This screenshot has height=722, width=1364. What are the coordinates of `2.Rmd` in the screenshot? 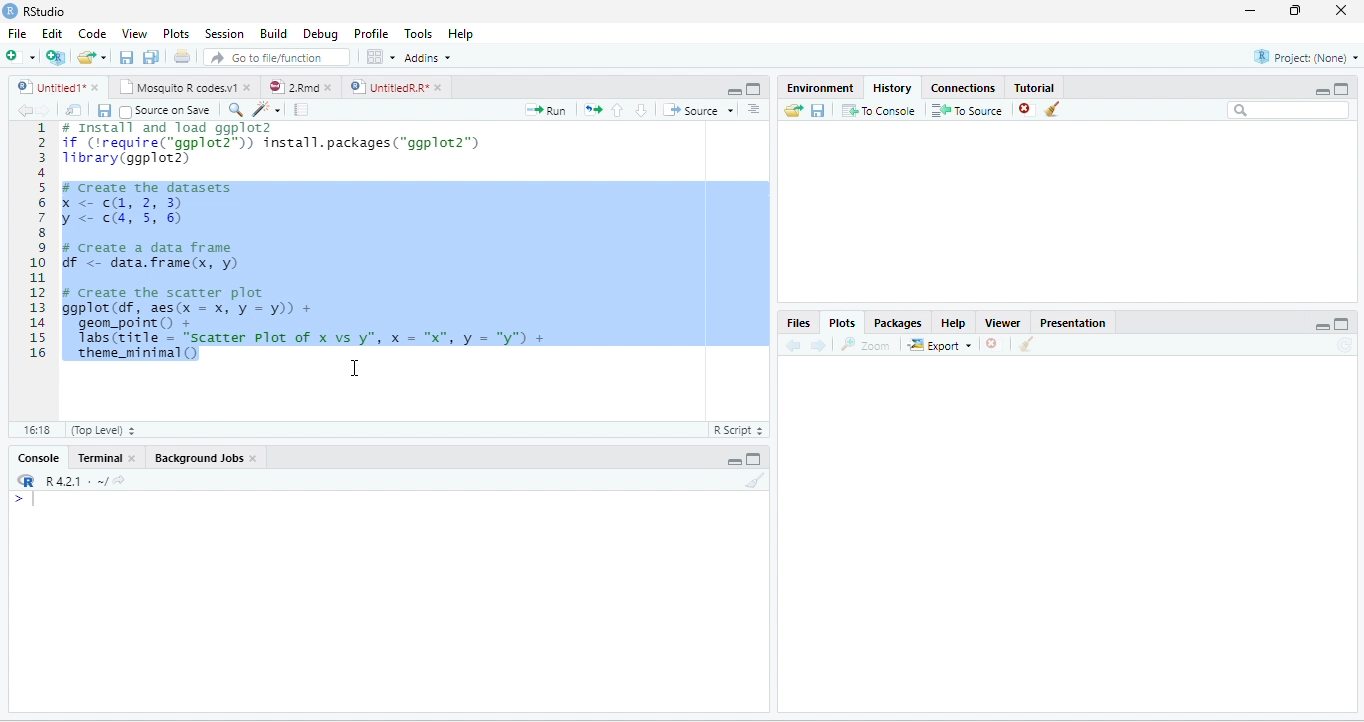 It's located at (292, 87).